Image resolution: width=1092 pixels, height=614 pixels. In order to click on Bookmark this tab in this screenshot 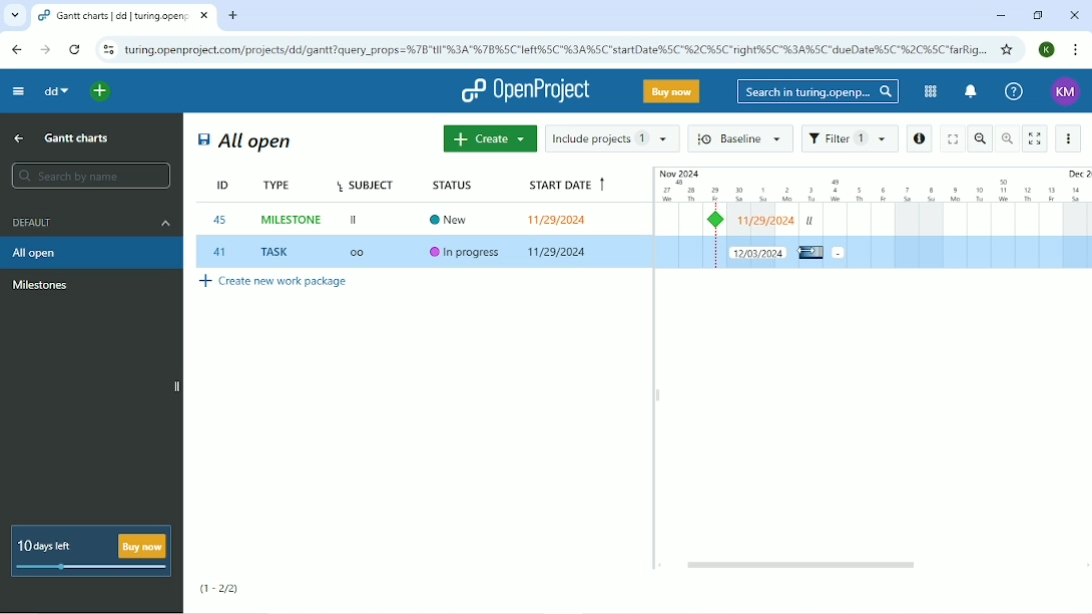, I will do `click(1008, 49)`.